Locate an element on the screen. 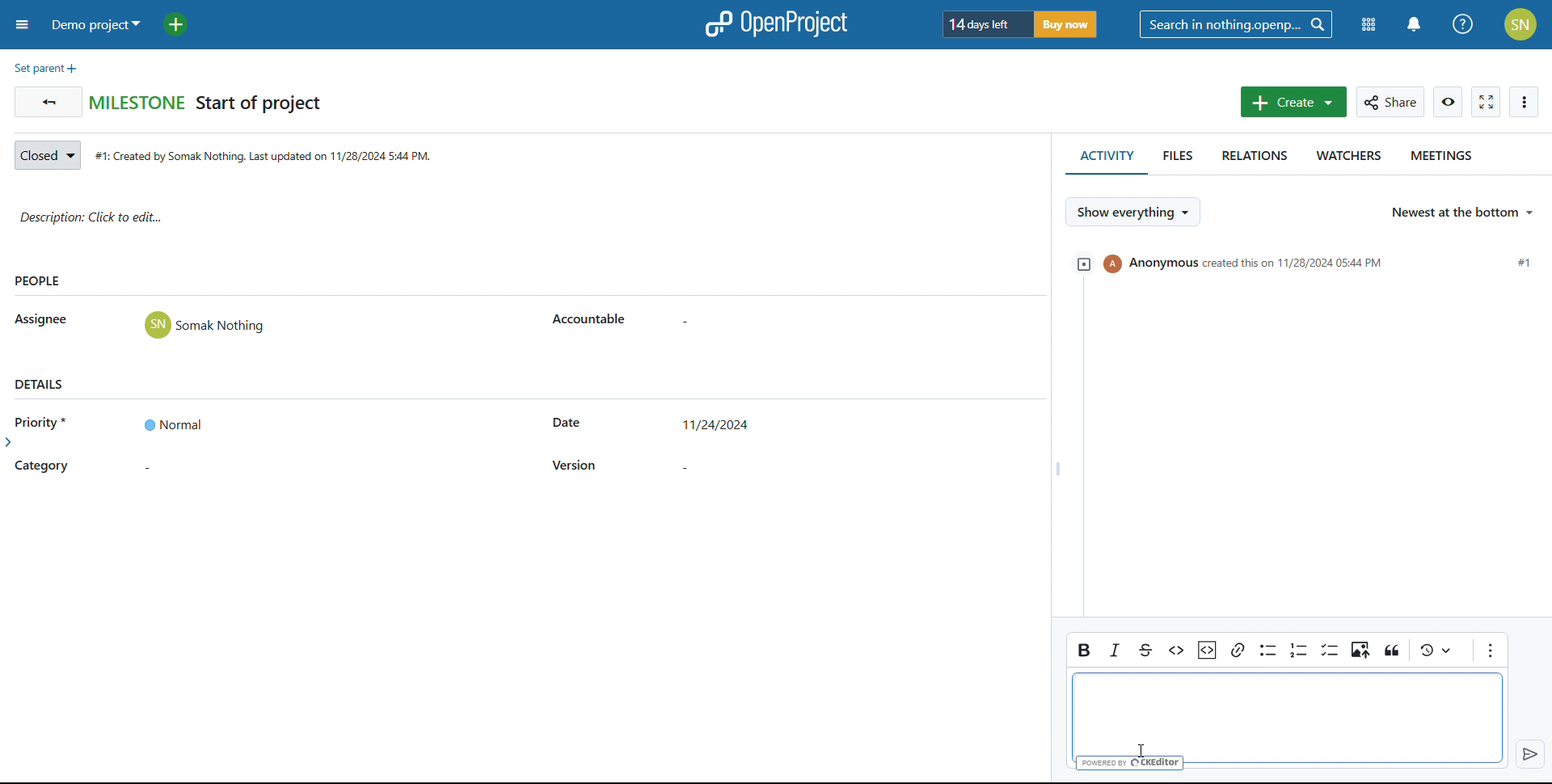 The width and height of the screenshot is (1552, 784). more is located at coordinates (1490, 650).